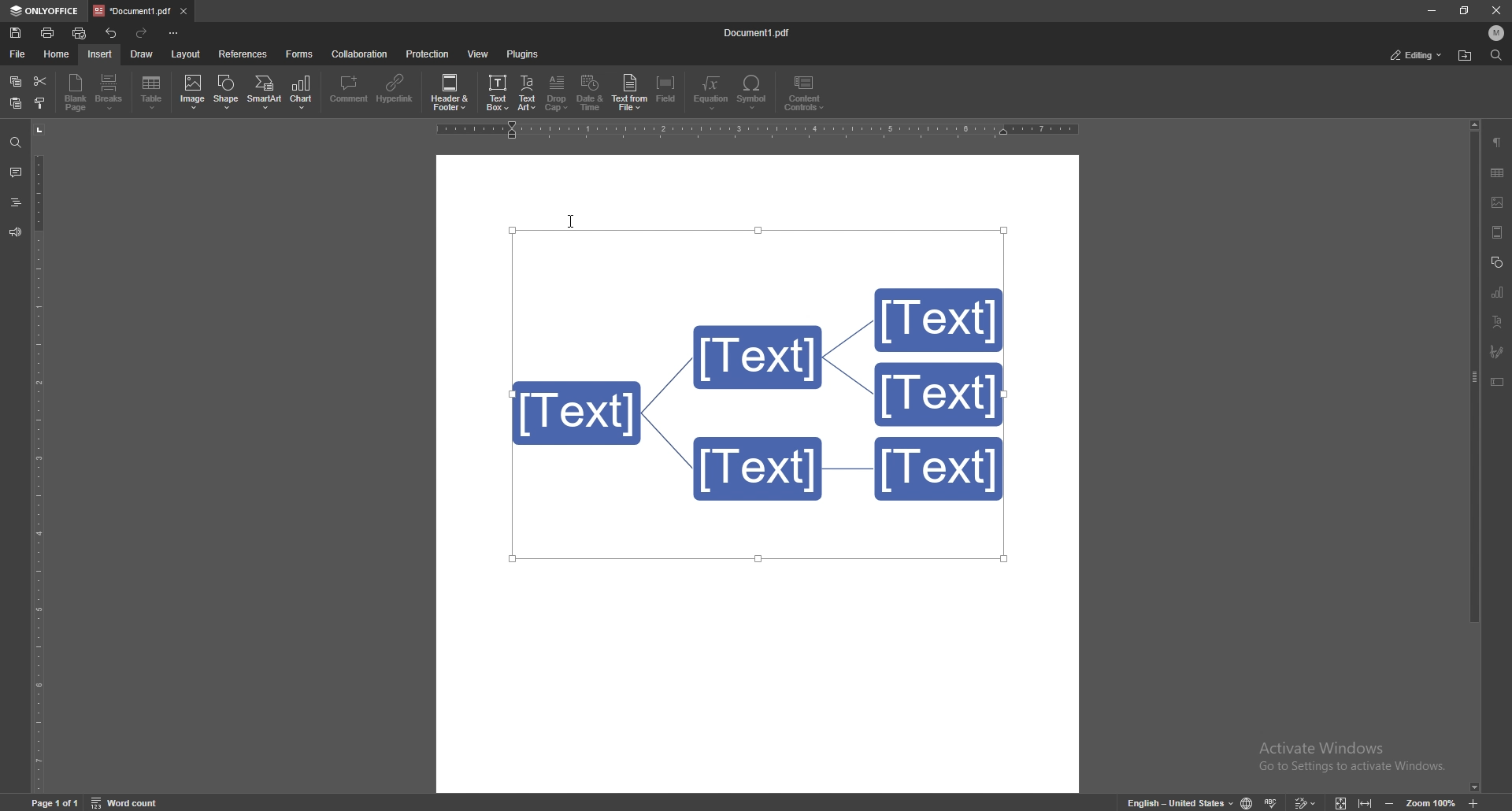 Image resolution: width=1512 pixels, height=811 pixels. Describe the element at coordinates (1495, 13) in the screenshot. I see `` at that location.